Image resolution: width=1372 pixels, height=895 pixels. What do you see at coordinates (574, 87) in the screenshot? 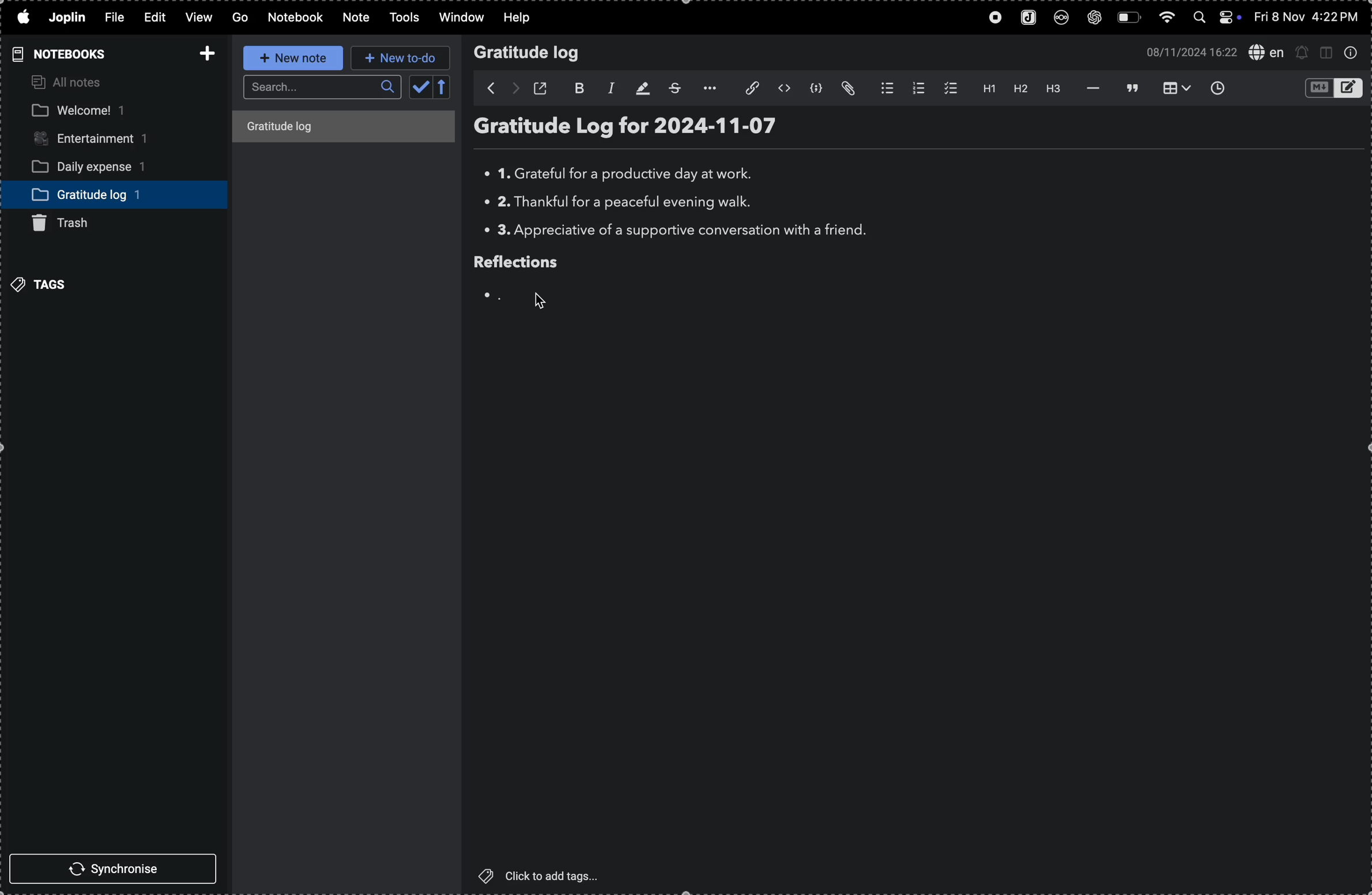
I see `bold` at bounding box center [574, 87].